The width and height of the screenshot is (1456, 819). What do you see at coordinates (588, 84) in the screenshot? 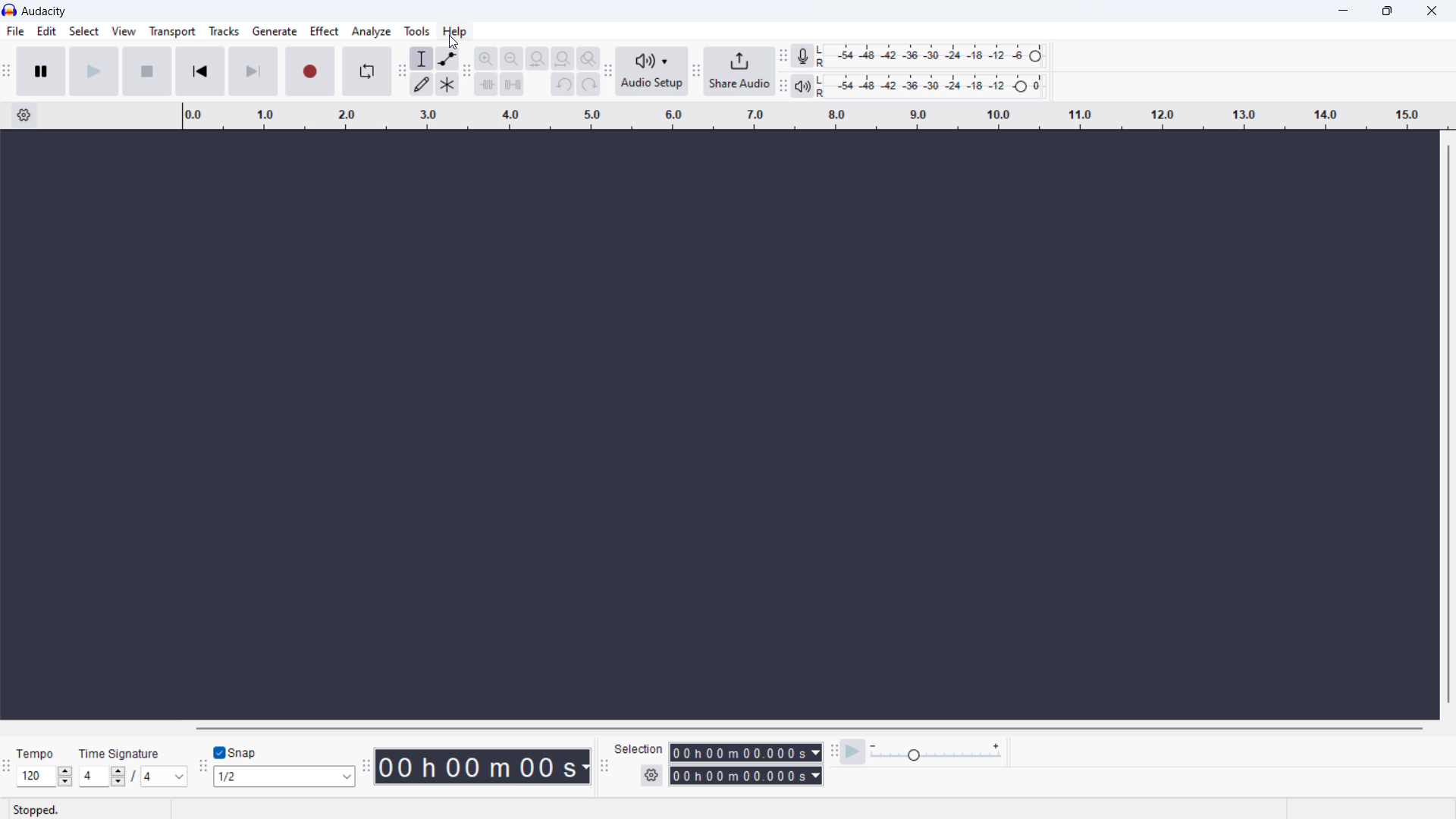
I see `redo` at bounding box center [588, 84].